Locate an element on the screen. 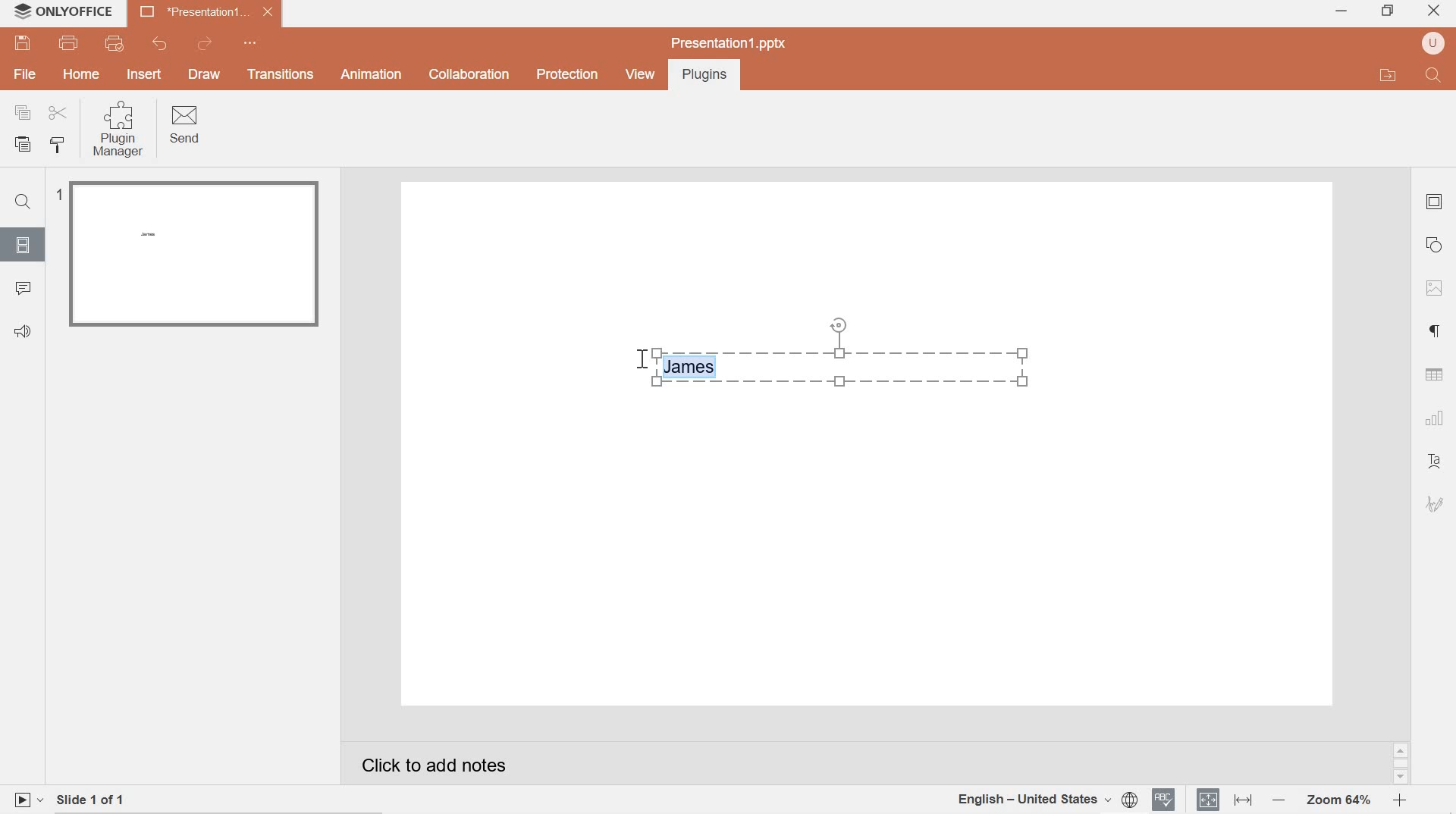 This screenshot has width=1456, height=814. minimize is located at coordinates (1341, 12).